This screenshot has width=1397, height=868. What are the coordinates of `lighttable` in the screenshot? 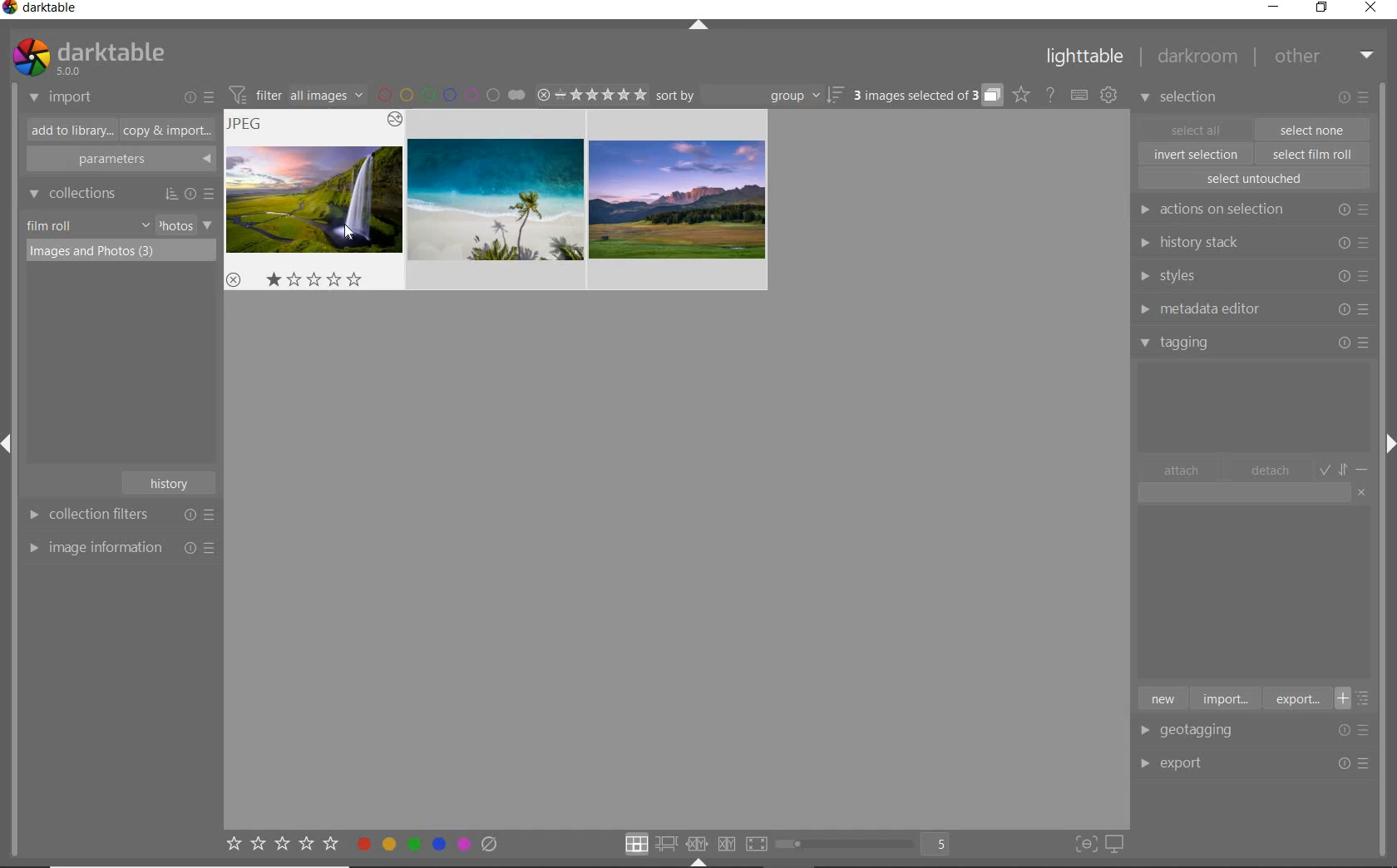 It's located at (1085, 60).